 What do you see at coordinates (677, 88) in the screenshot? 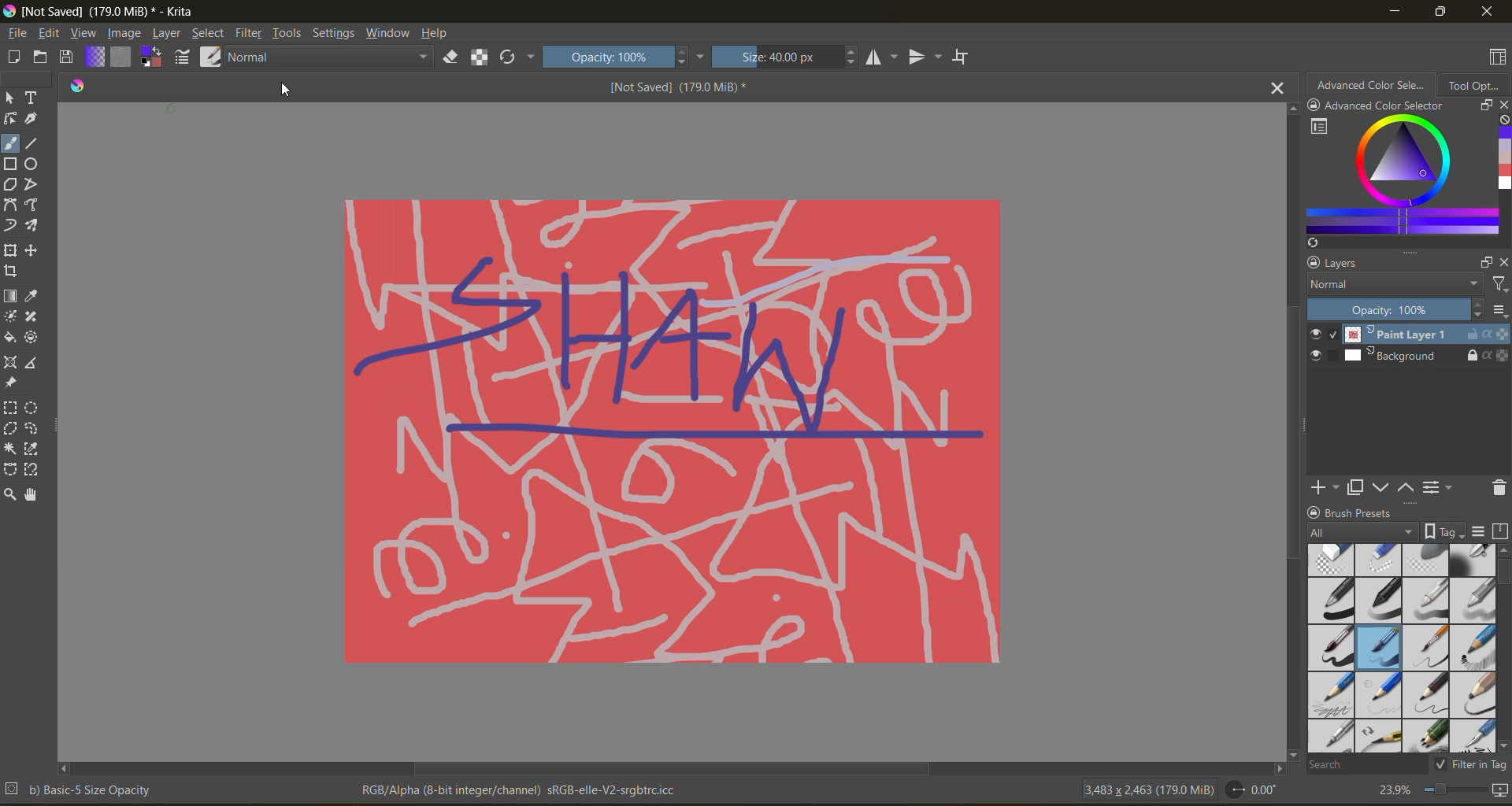
I see `[Not Saved] (179.0 MiB) *` at bounding box center [677, 88].